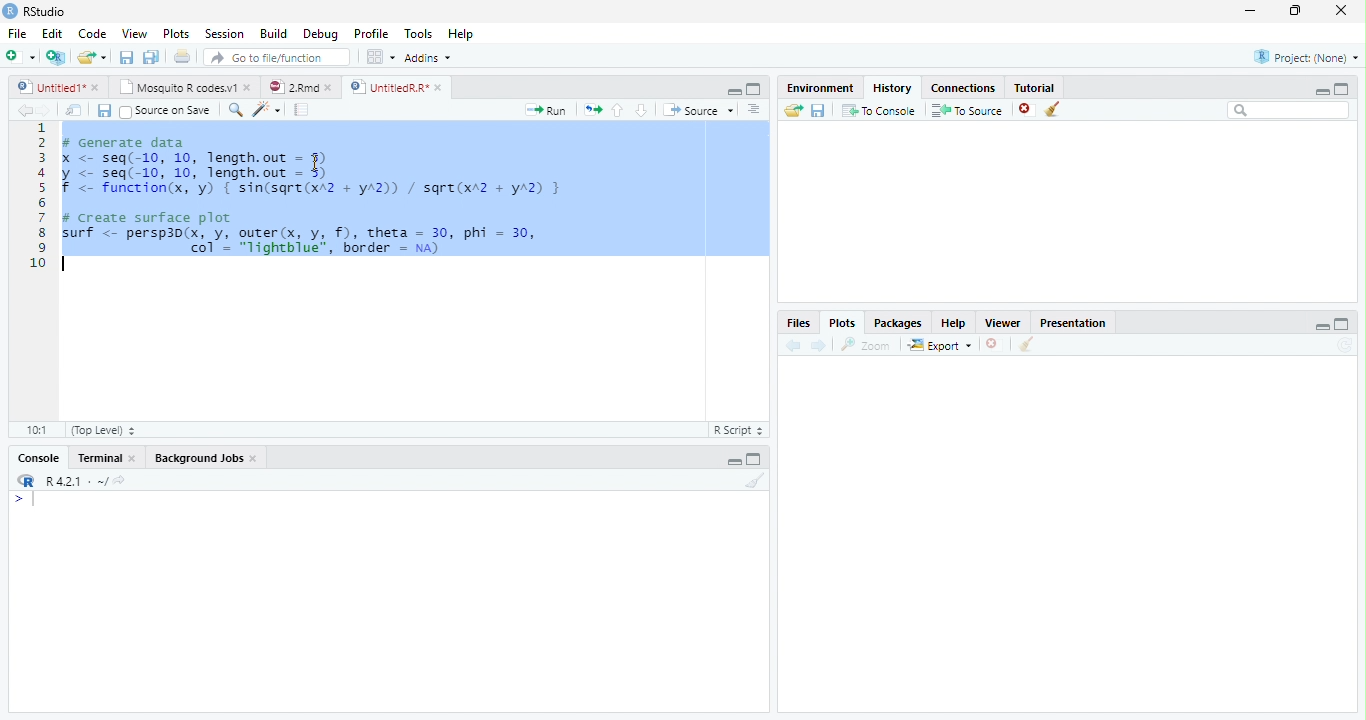  What do you see at coordinates (800, 322) in the screenshot?
I see `Files` at bounding box center [800, 322].